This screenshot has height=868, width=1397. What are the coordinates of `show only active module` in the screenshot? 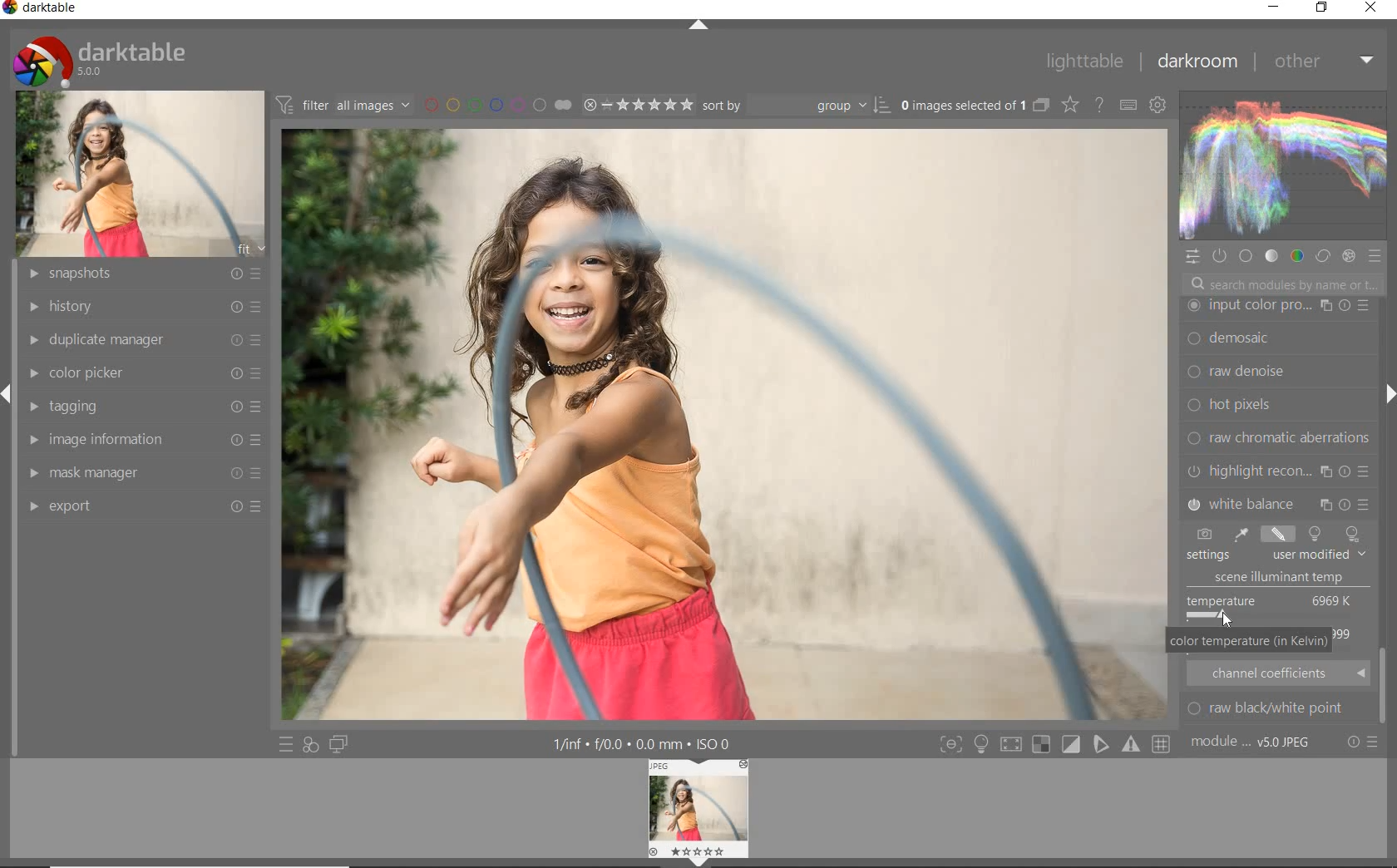 It's located at (1221, 257).